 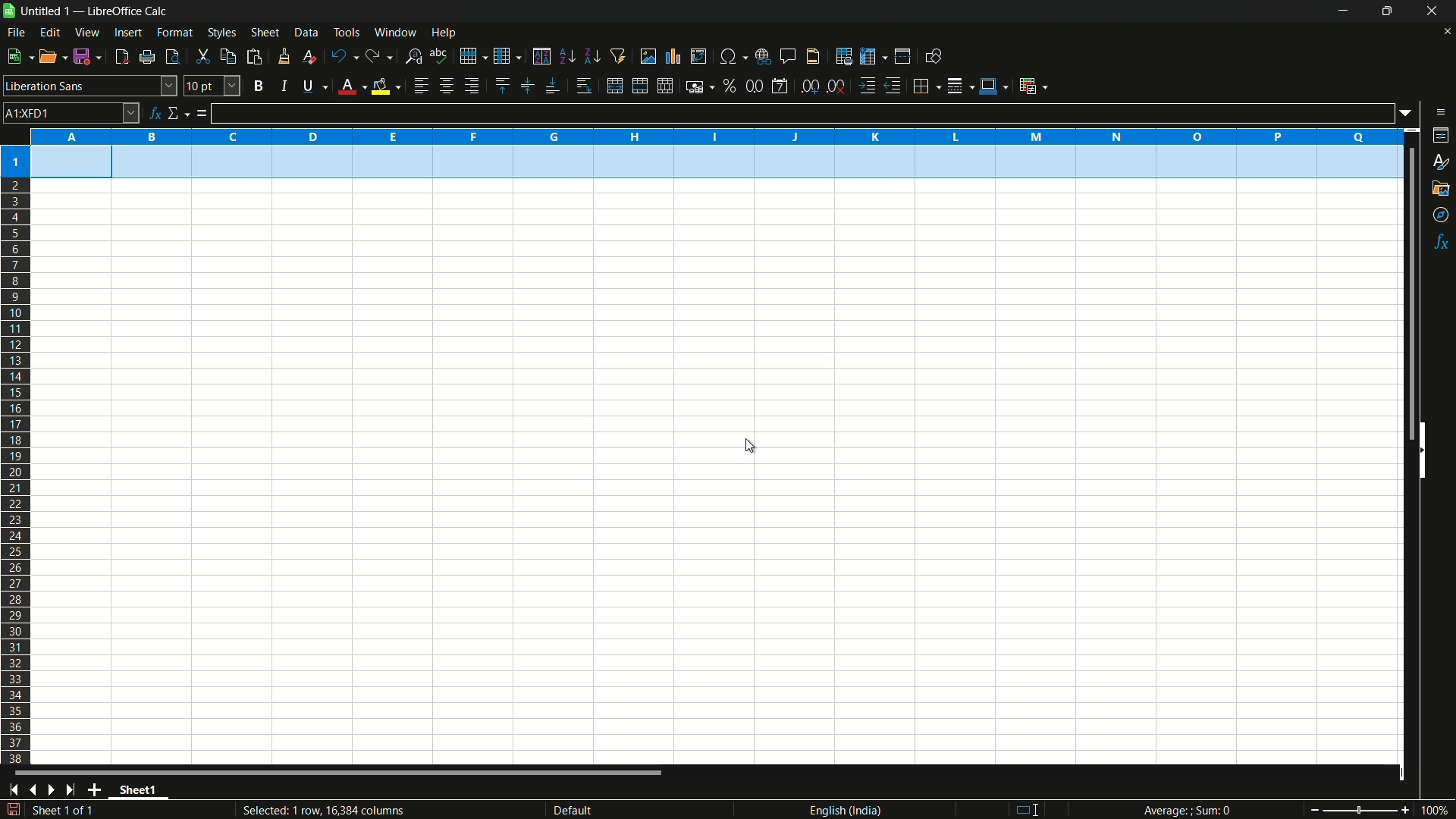 What do you see at coordinates (673, 55) in the screenshot?
I see `insert chart` at bounding box center [673, 55].